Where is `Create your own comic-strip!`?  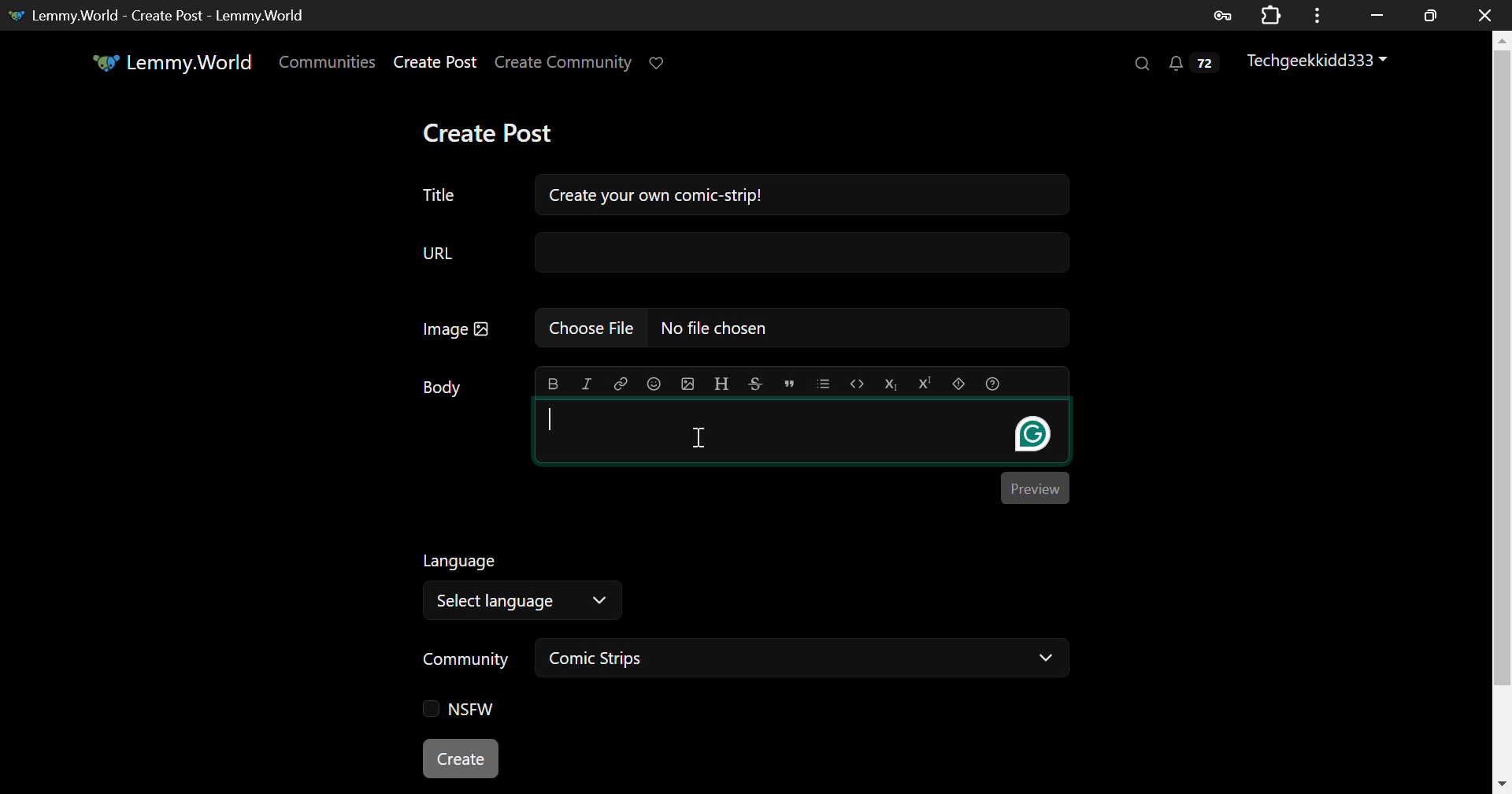 Create your own comic-strip! is located at coordinates (800, 192).